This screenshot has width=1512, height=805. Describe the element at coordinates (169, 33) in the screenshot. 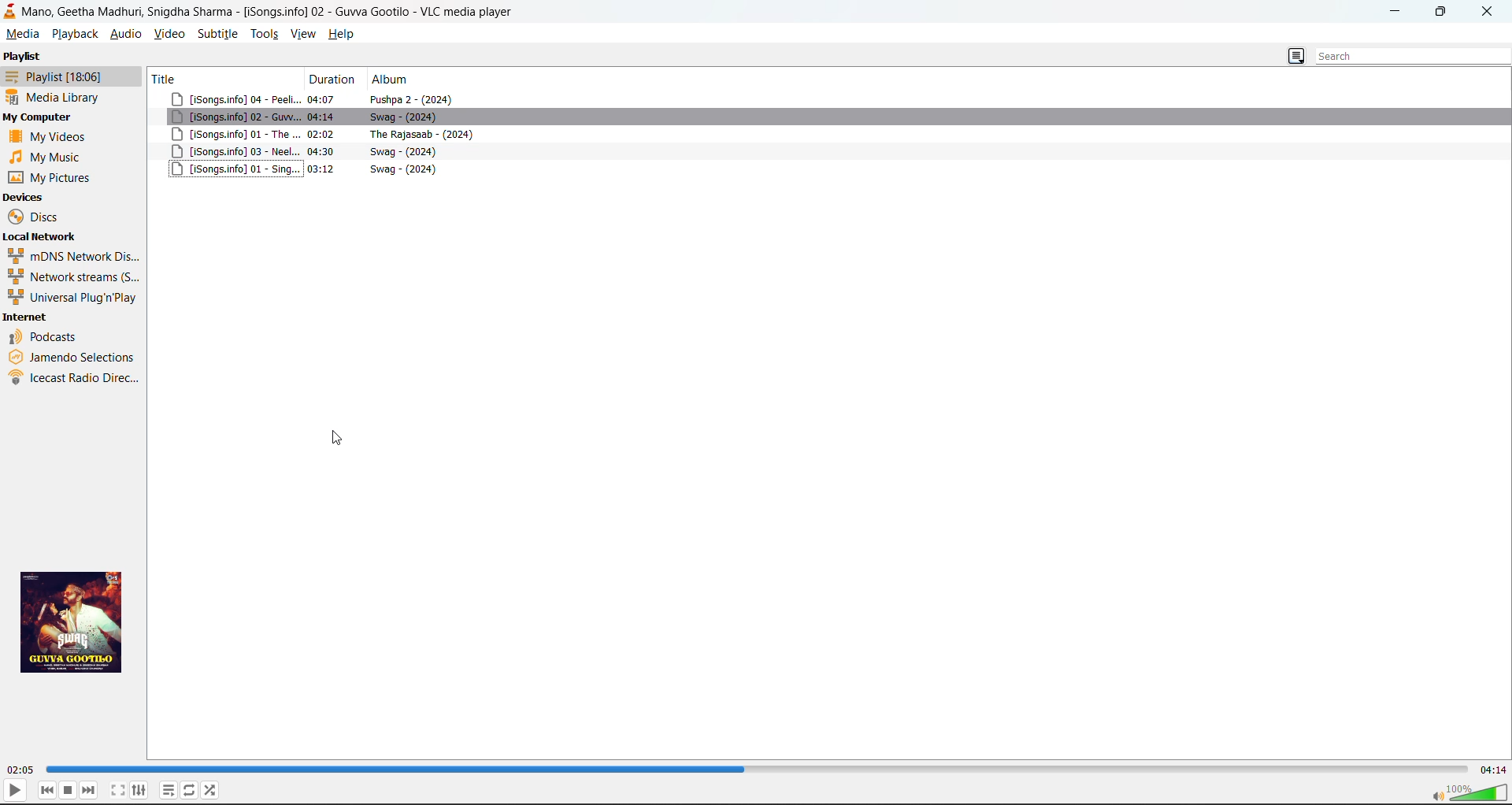

I see `video` at that location.